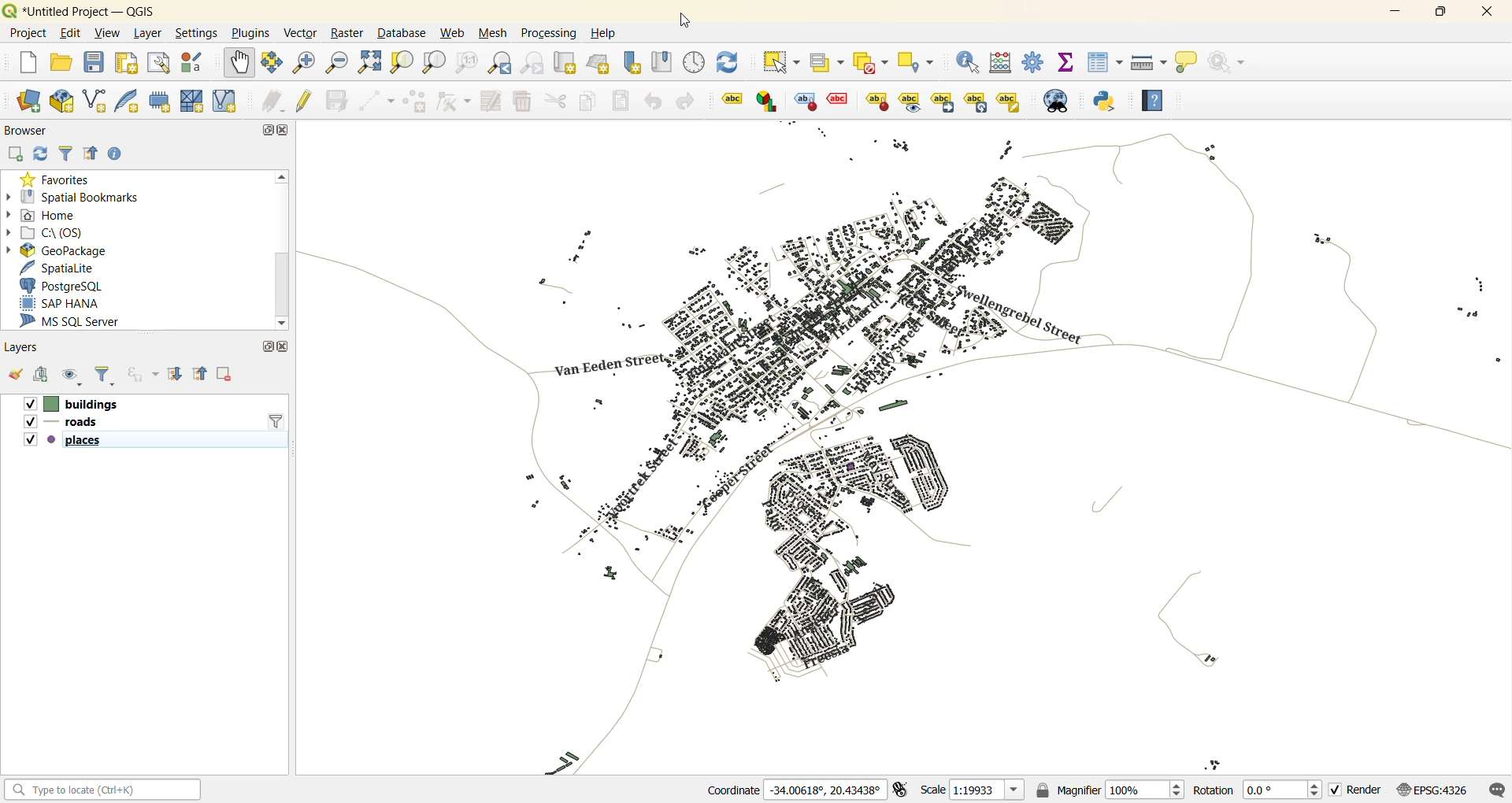  I want to click on python, so click(1110, 103).